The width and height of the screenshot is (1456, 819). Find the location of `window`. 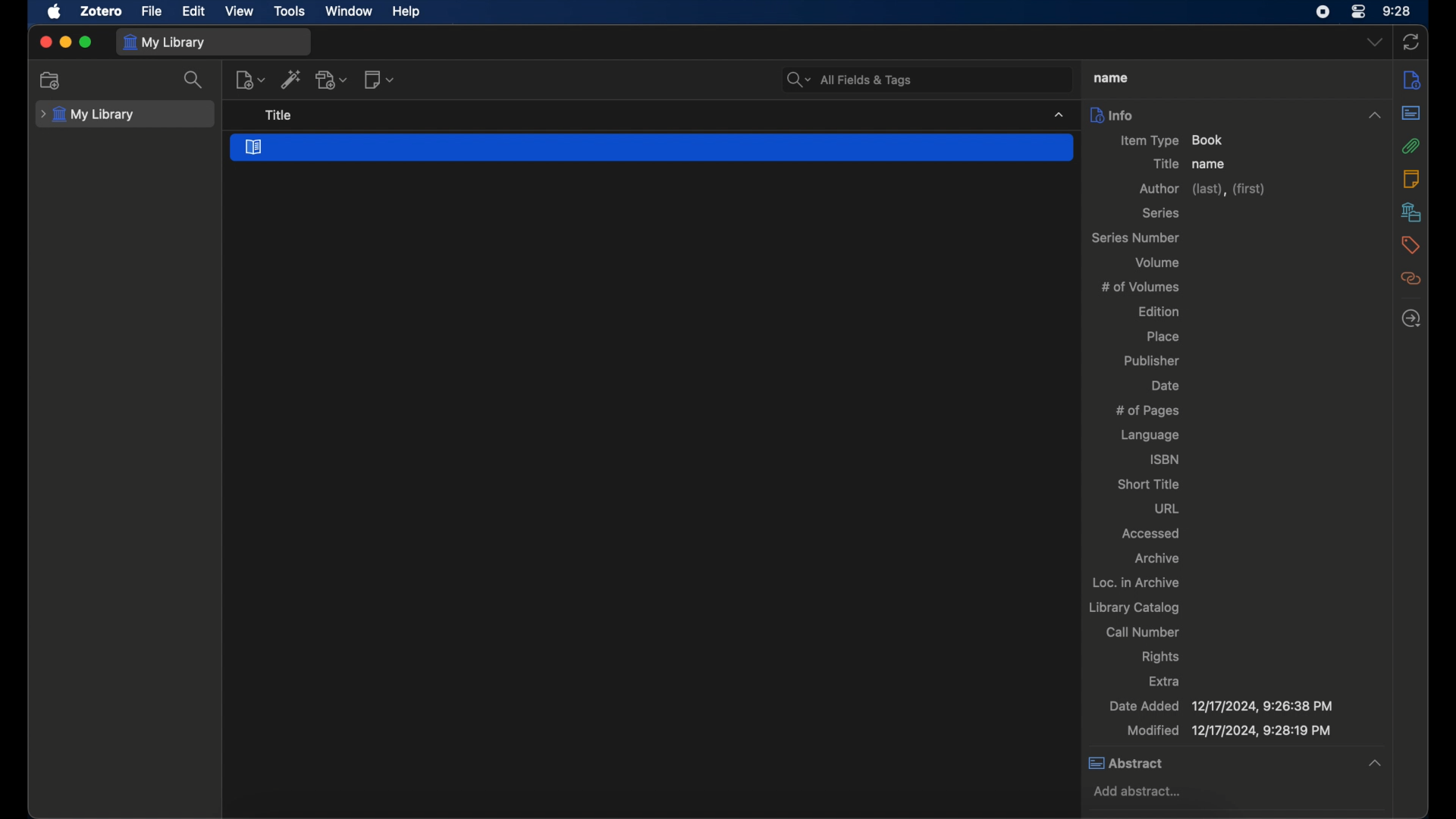

window is located at coordinates (350, 11).